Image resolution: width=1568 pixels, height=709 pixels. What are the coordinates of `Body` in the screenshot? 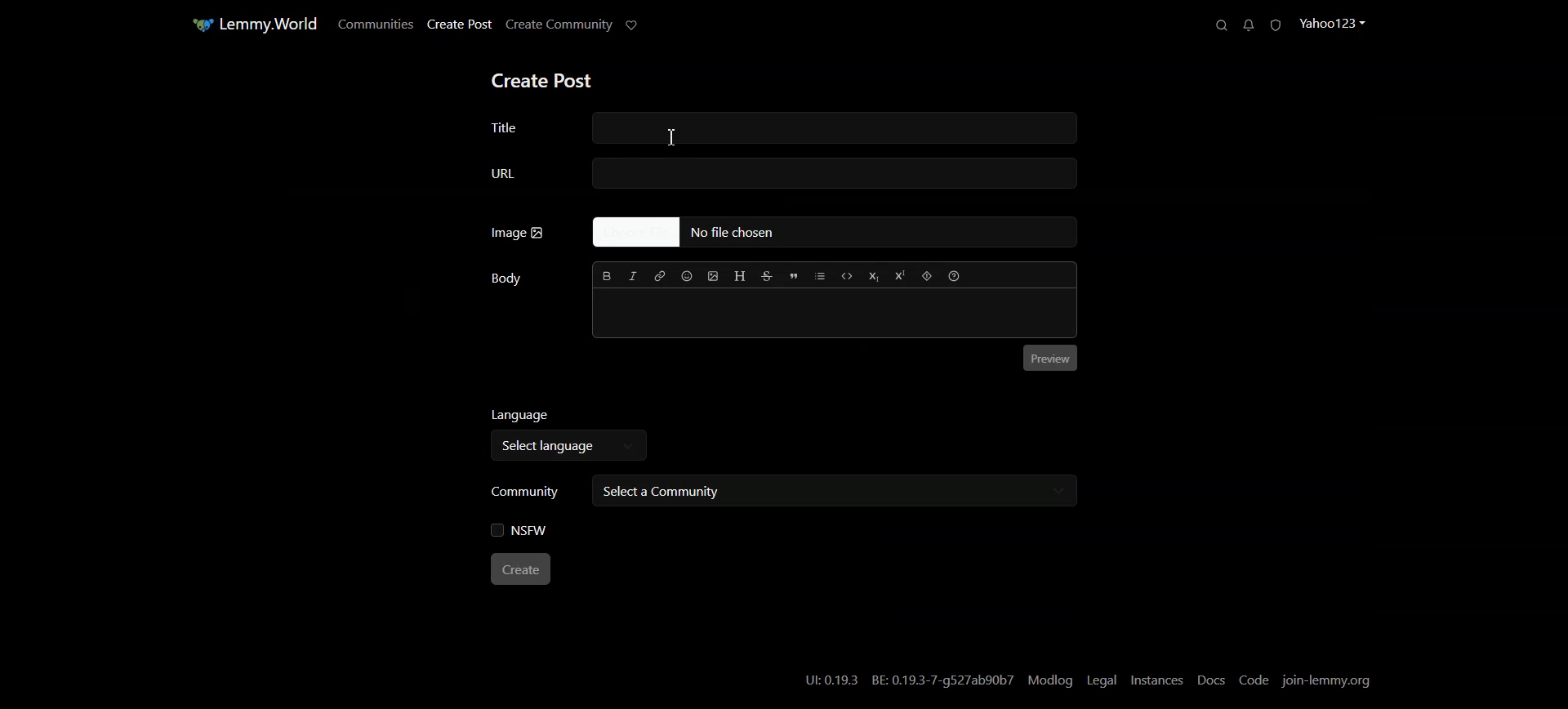 It's located at (506, 279).